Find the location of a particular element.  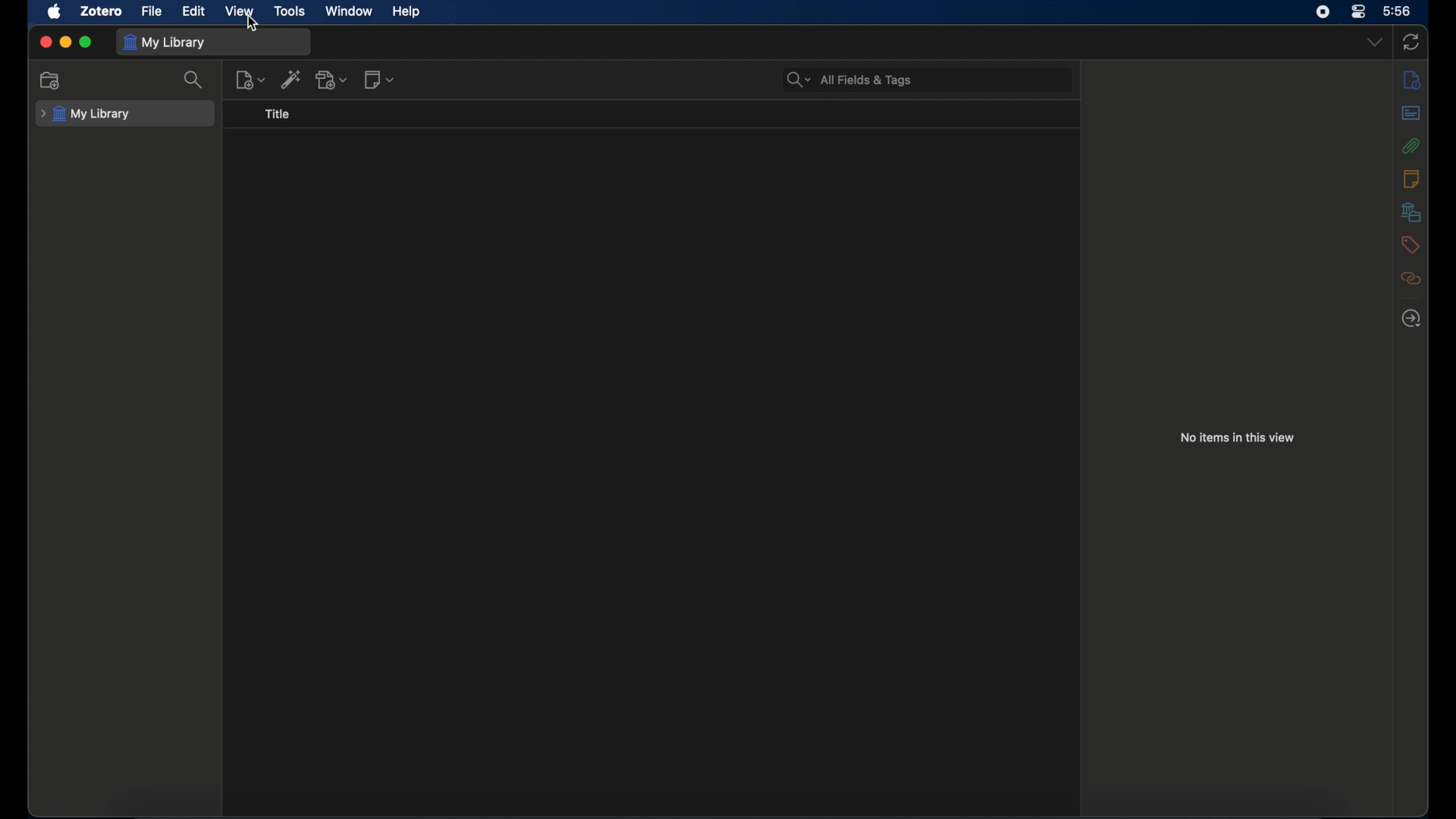

title is located at coordinates (277, 115).